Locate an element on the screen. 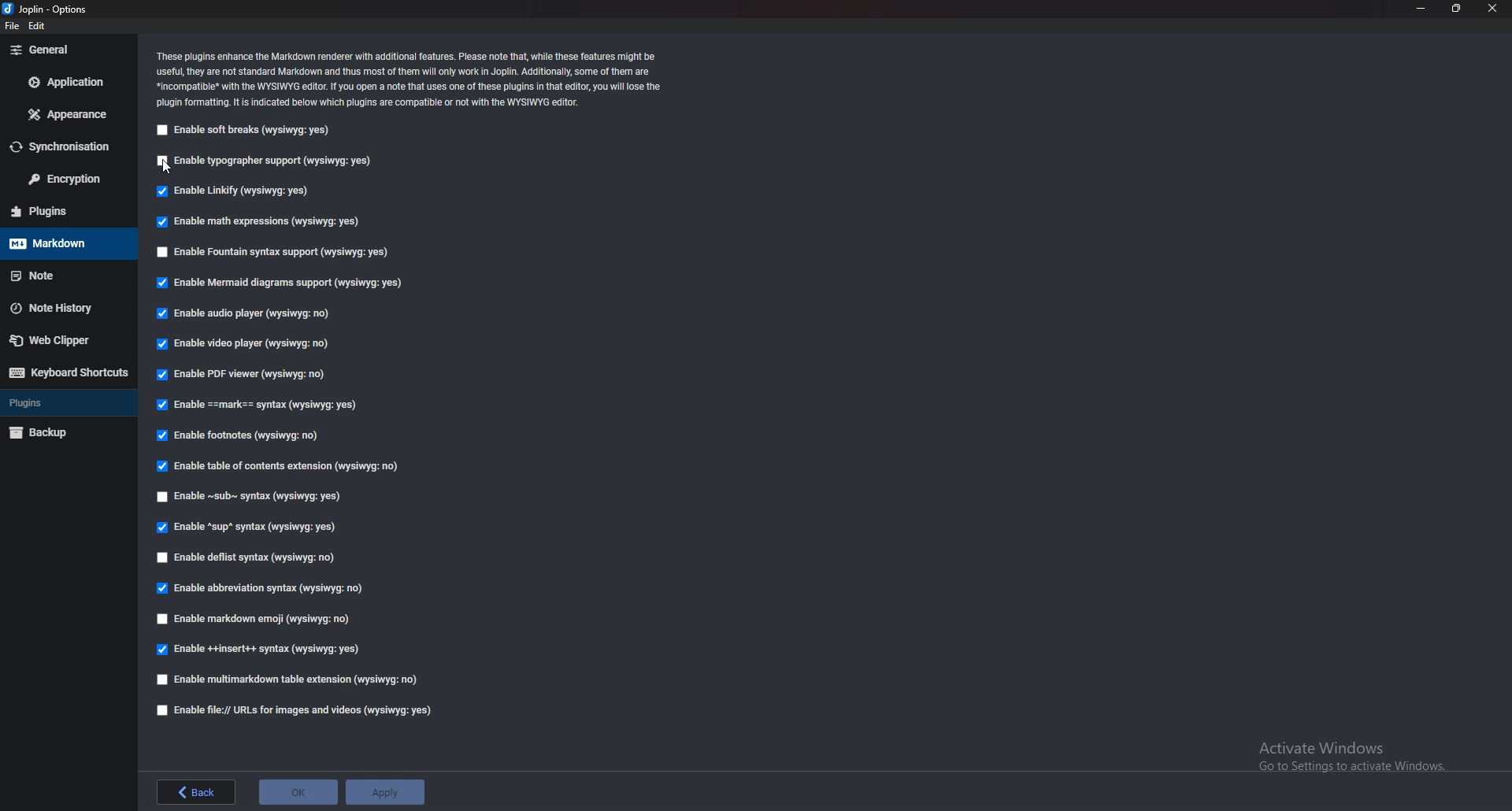  Enable table of contents is located at coordinates (283, 464).